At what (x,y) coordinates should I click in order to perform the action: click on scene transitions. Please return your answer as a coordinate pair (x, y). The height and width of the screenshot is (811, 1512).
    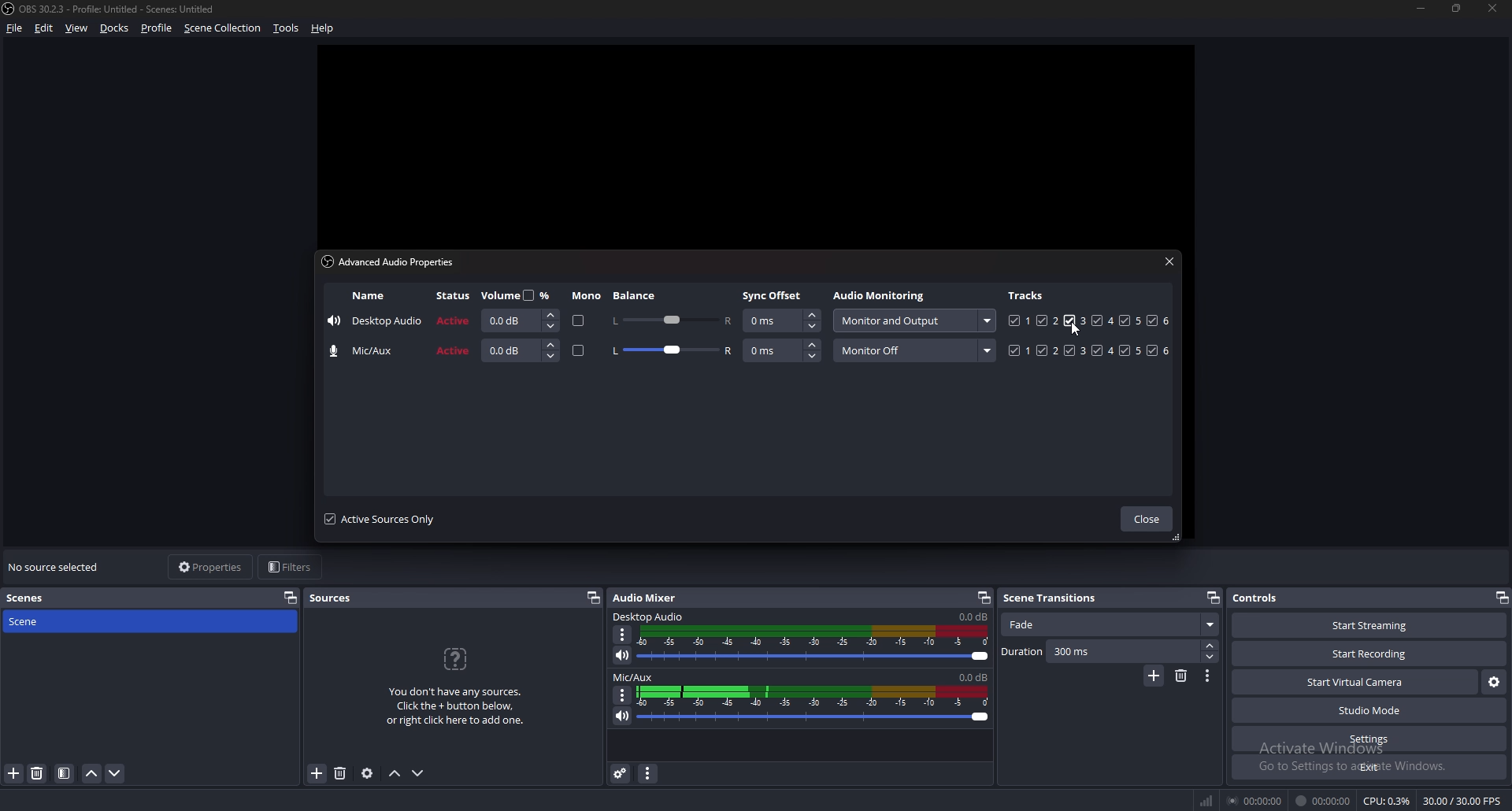
    Looking at the image, I should click on (1058, 597).